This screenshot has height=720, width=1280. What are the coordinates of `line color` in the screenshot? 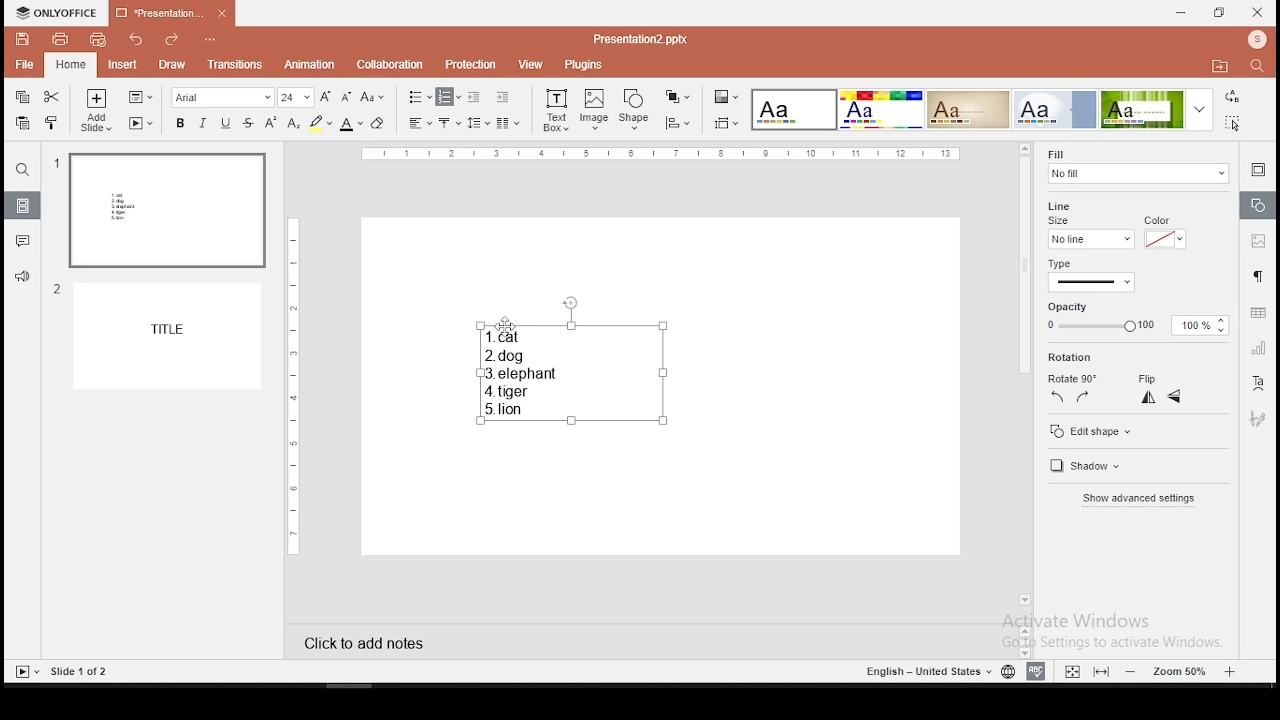 It's located at (1164, 233).